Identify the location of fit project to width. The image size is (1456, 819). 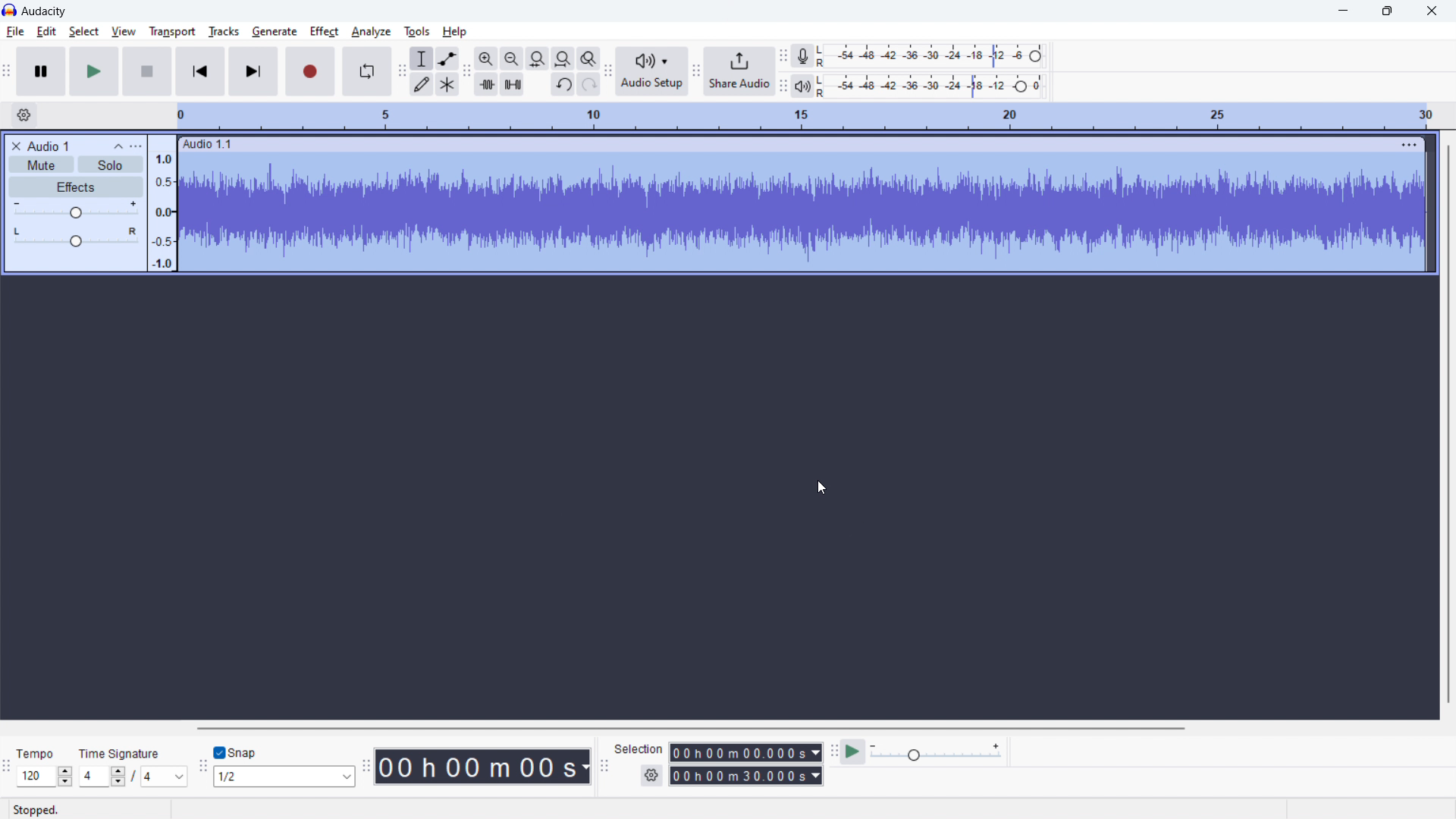
(563, 58).